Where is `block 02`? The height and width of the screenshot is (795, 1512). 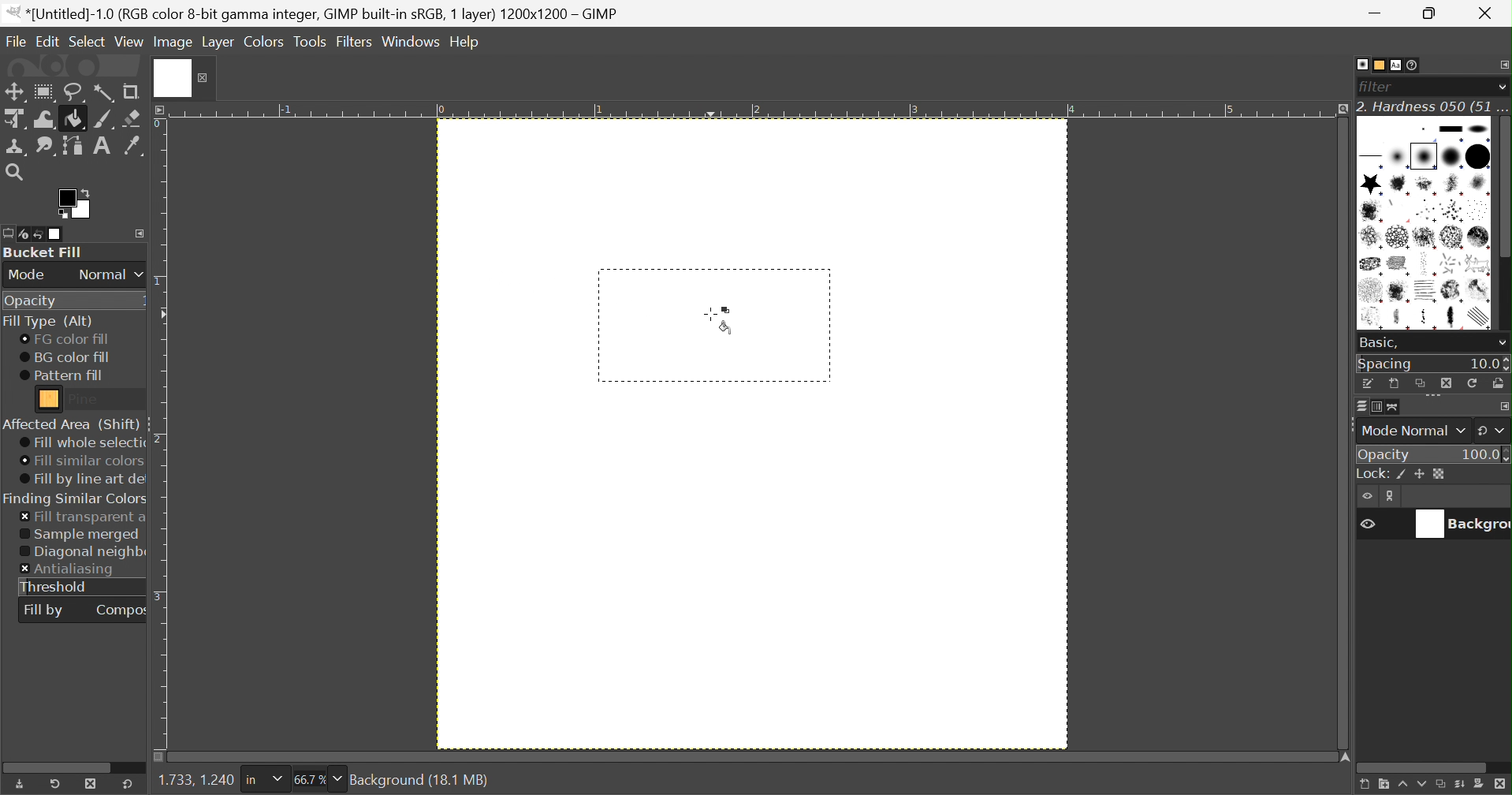
block 02 is located at coordinates (1479, 129).